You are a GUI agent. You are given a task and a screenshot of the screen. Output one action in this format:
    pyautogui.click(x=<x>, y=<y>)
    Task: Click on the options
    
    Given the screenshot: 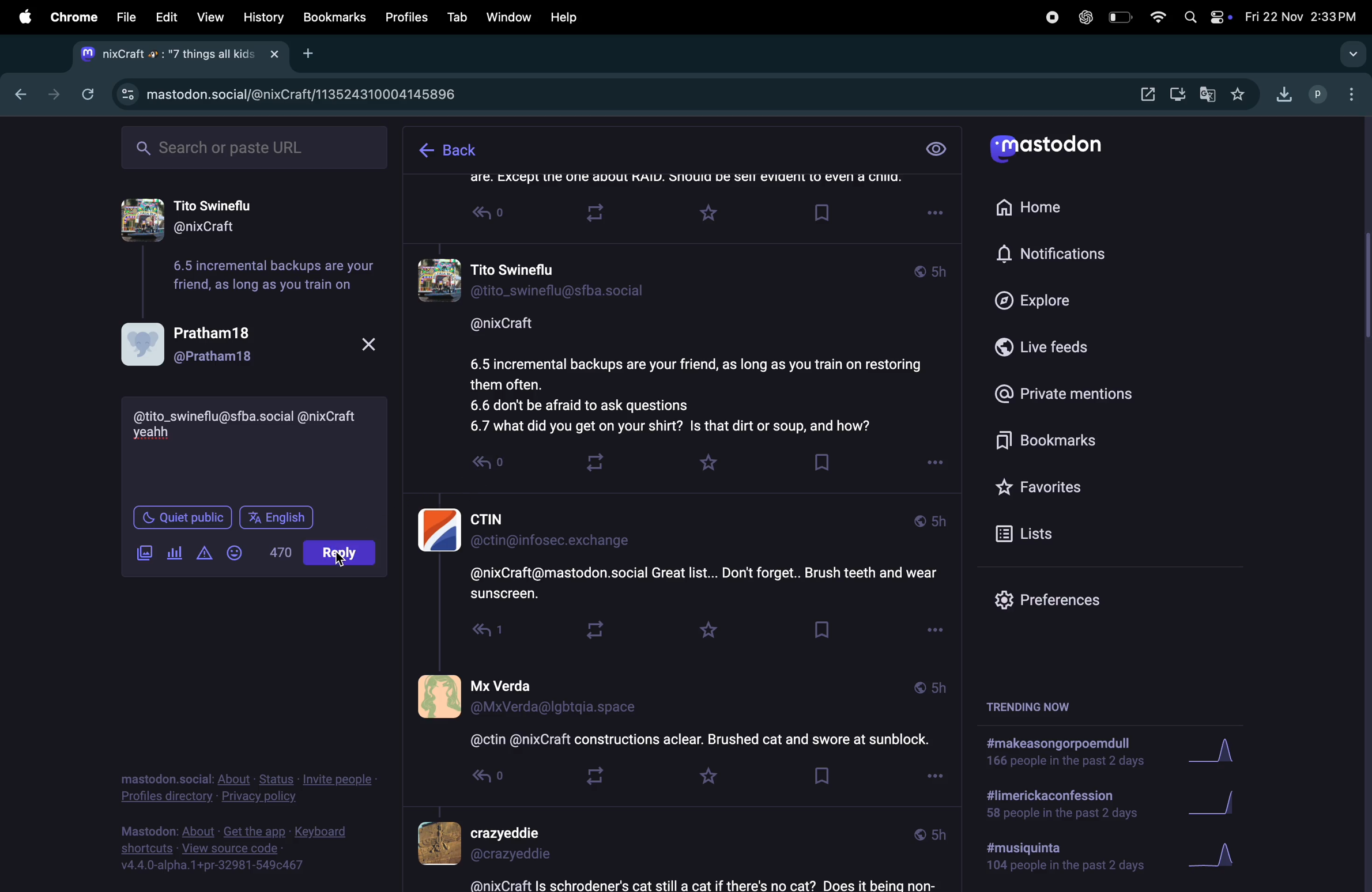 What is the action you would take?
    pyautogui.click(x=932, y=466)
    